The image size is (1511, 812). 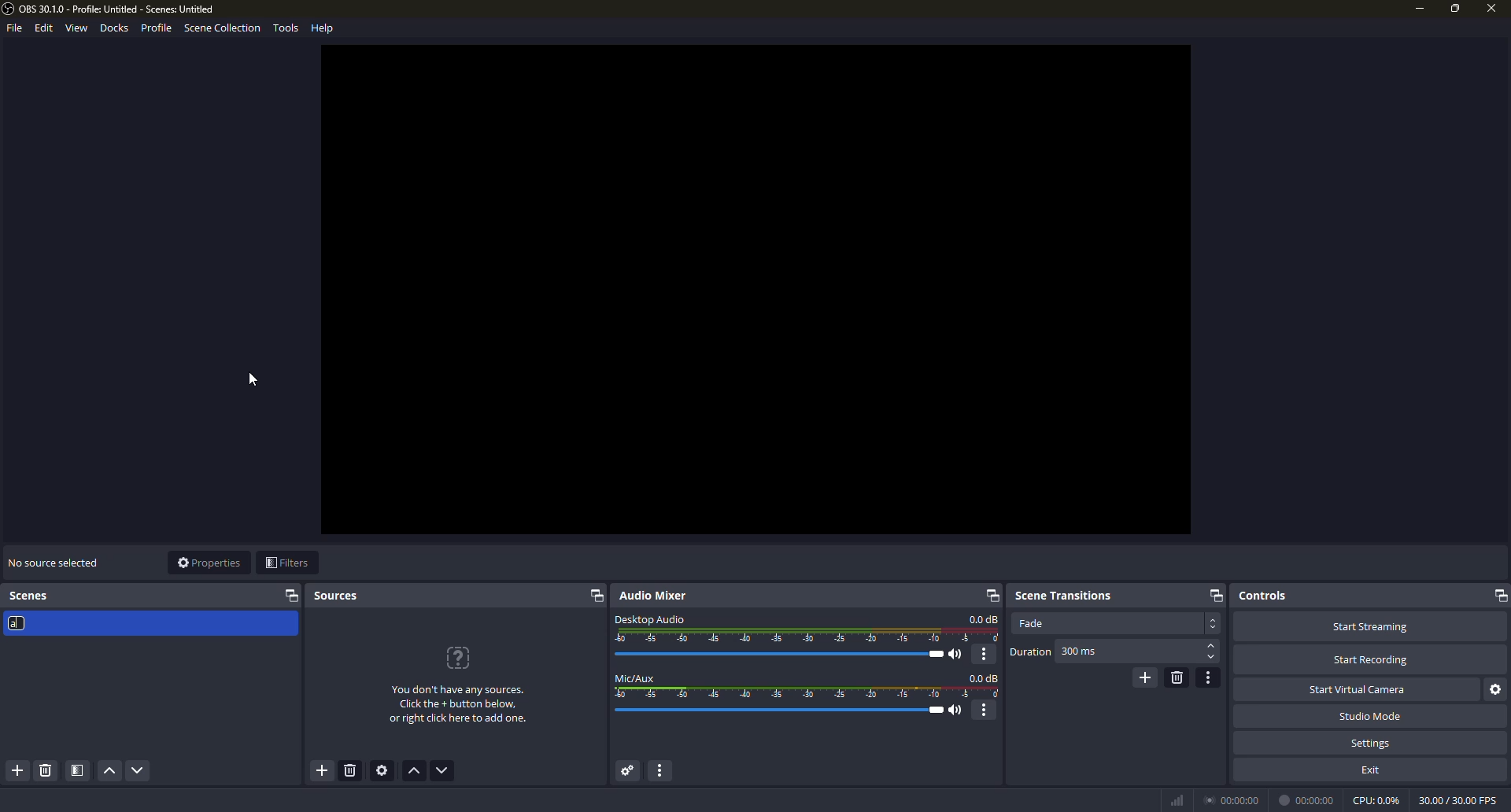 I want to click on transition properties, so click(x=1210, y=677).